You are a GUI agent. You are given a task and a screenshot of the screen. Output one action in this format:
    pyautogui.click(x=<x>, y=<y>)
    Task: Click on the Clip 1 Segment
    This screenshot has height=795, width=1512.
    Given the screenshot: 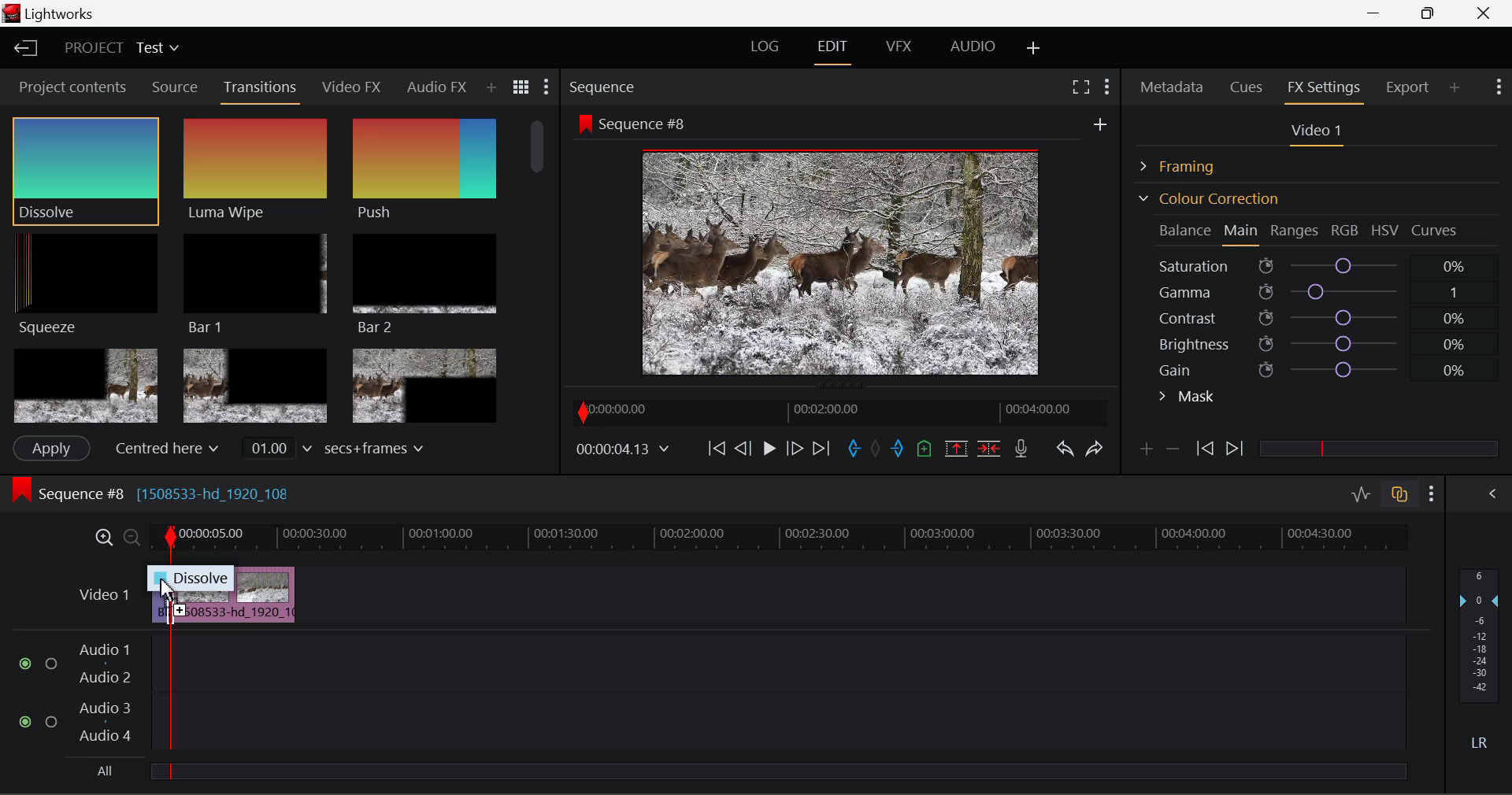 What is the action you would take?
    pyautogui.click(x=160, y=596)
    